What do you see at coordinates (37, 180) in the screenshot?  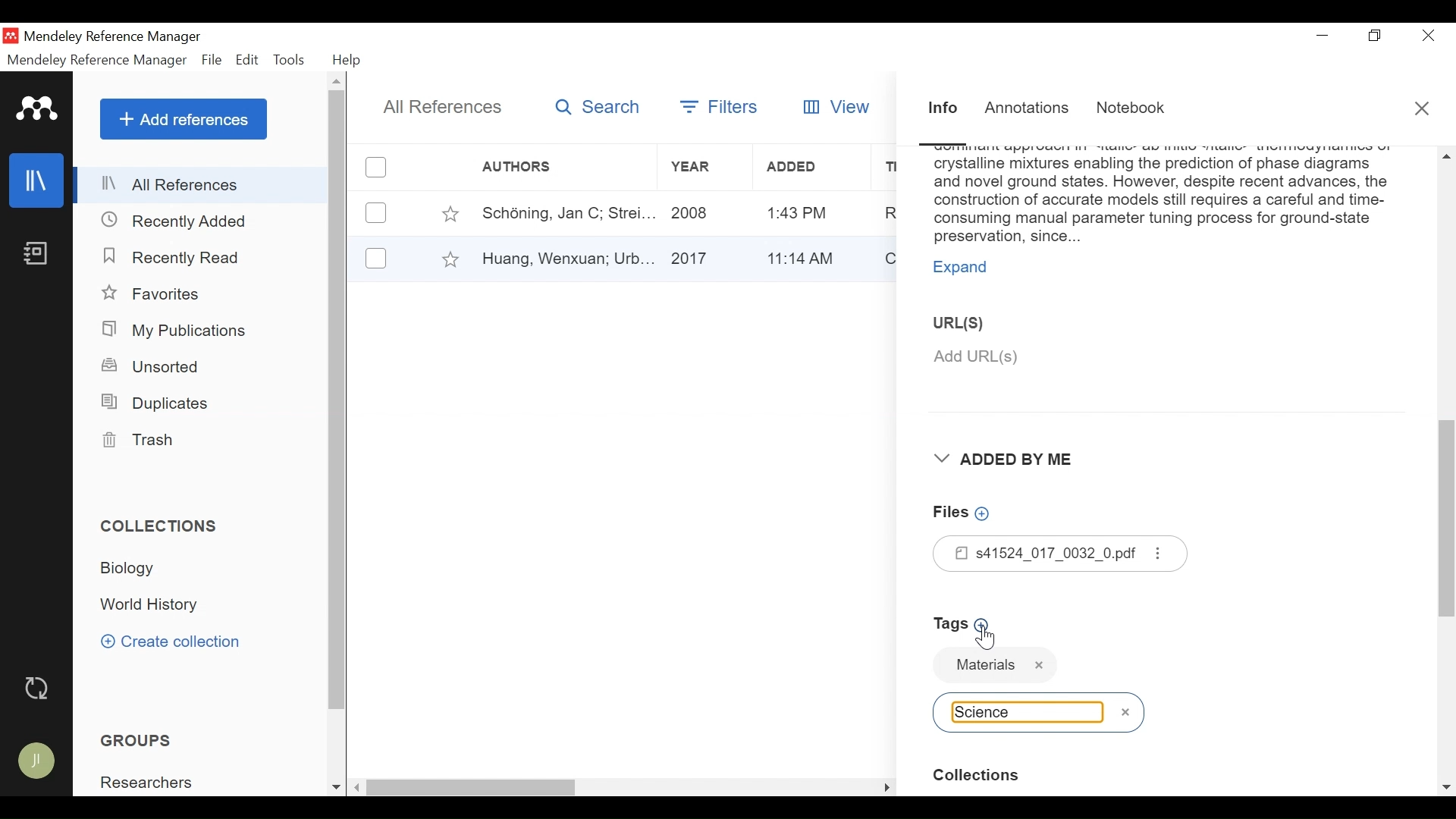 I see `Library` at bounding box center [37, 180].